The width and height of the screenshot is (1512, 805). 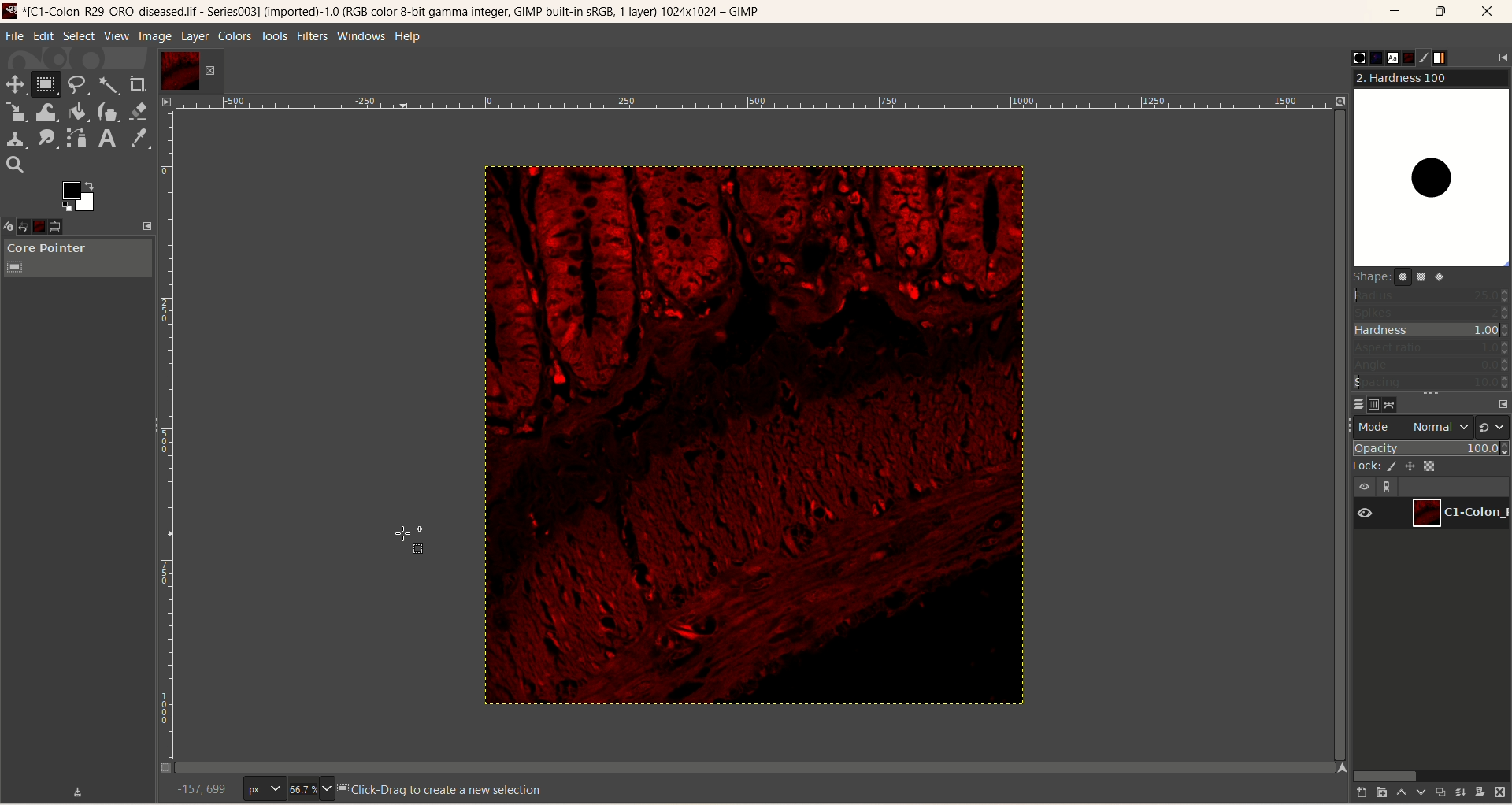 What do you see at coordinates (165, 440) in the screenshot?
I see `scale bar` at bounding box center [165, 440].